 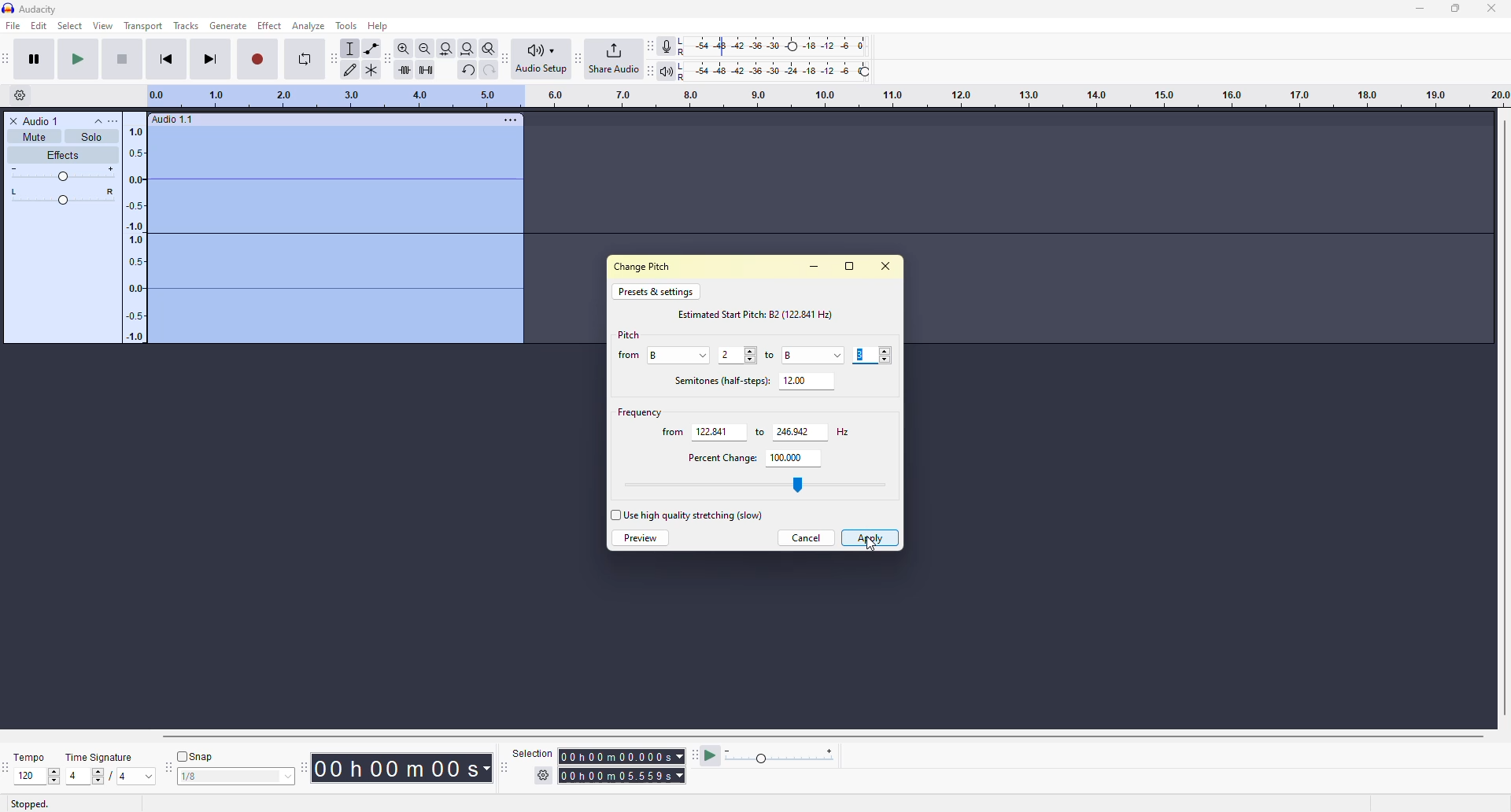 I want to click on up, so click(x=54, y=770).